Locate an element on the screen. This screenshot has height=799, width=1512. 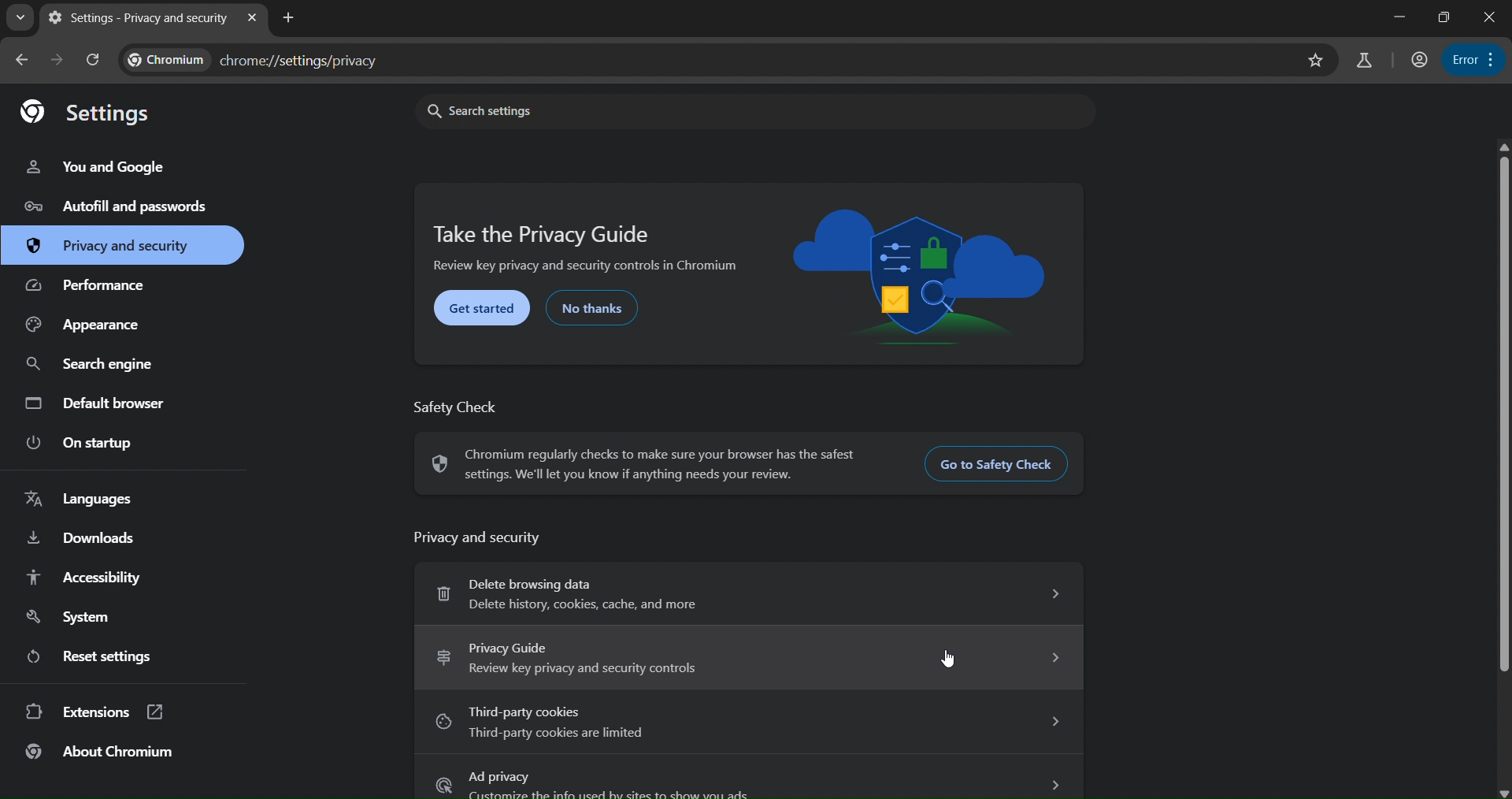
search panel is located at coordinates (93, 59).